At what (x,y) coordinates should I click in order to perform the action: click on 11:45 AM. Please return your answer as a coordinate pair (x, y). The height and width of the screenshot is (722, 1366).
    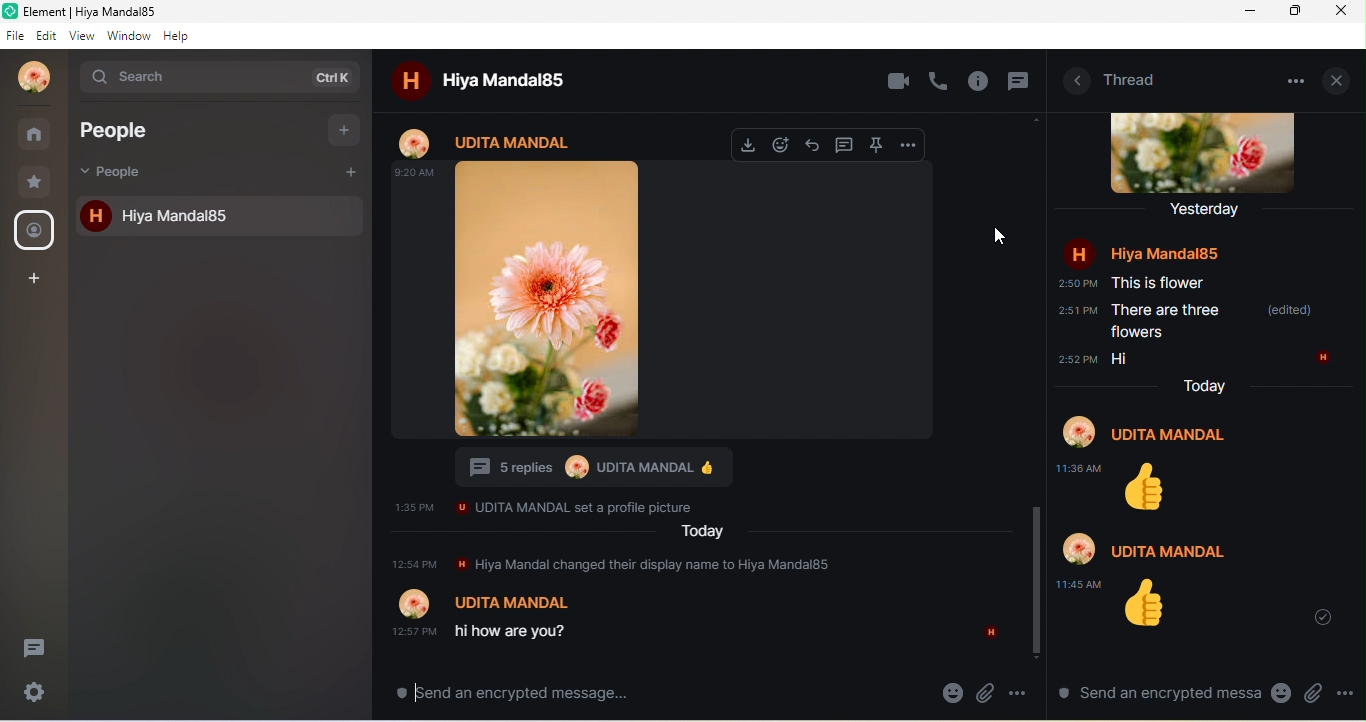
    Looking at the image, I should click on (1081, 584).